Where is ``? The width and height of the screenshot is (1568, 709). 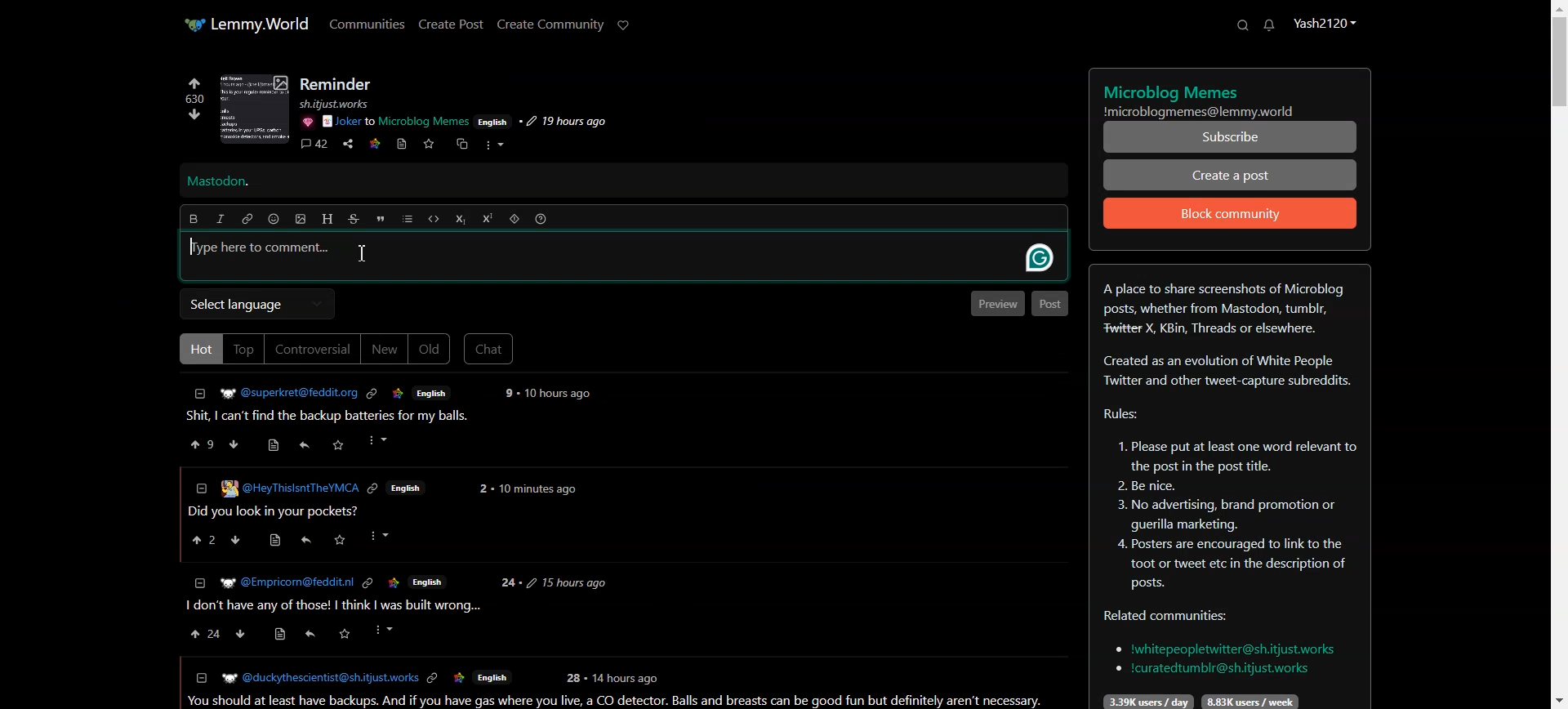
 is located at coordinates (345, 634).